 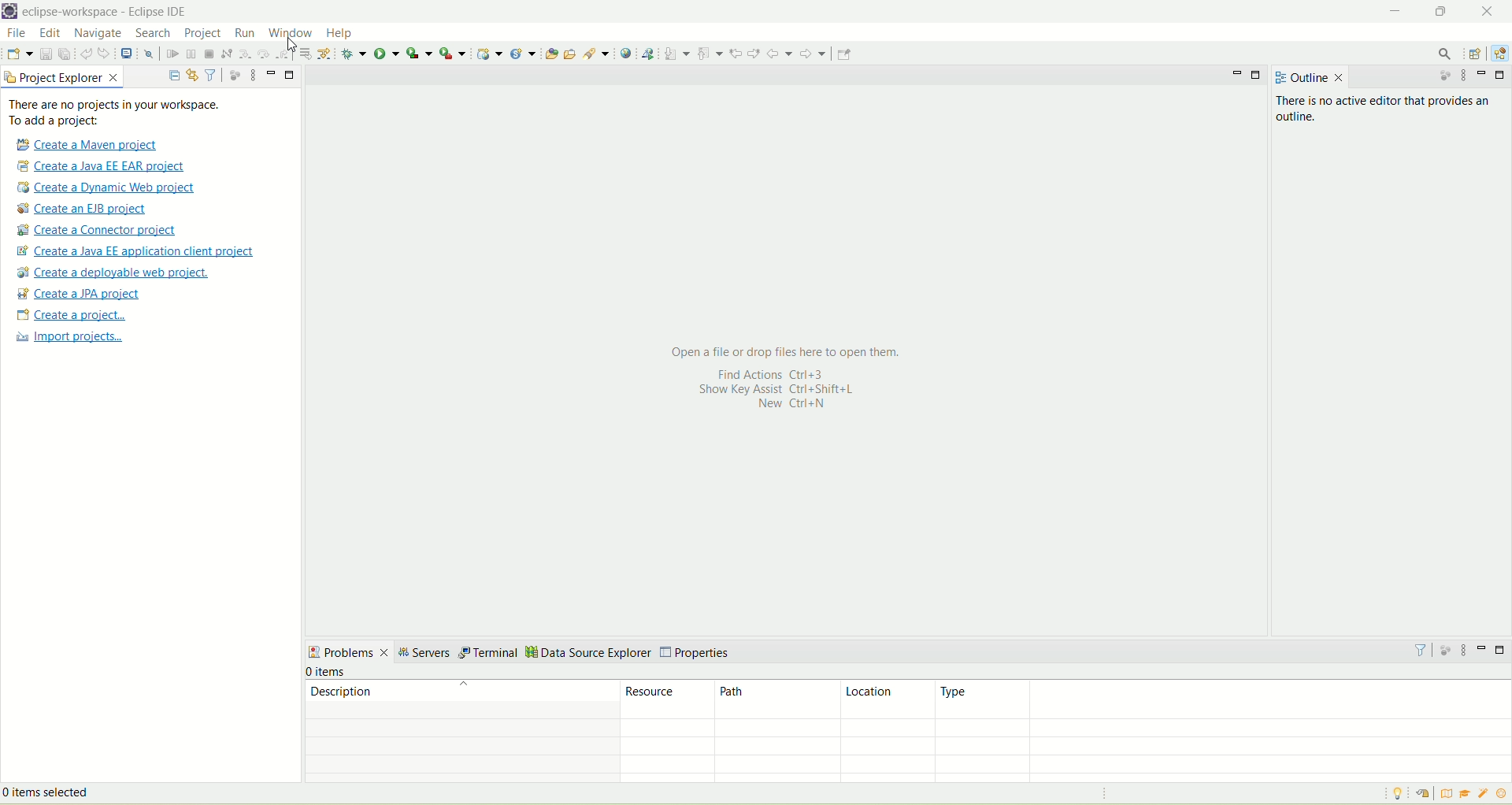 What do you see at coordinates (68, 339) in the screenshot?
I see `import projects` at bounding box center [68, 339].